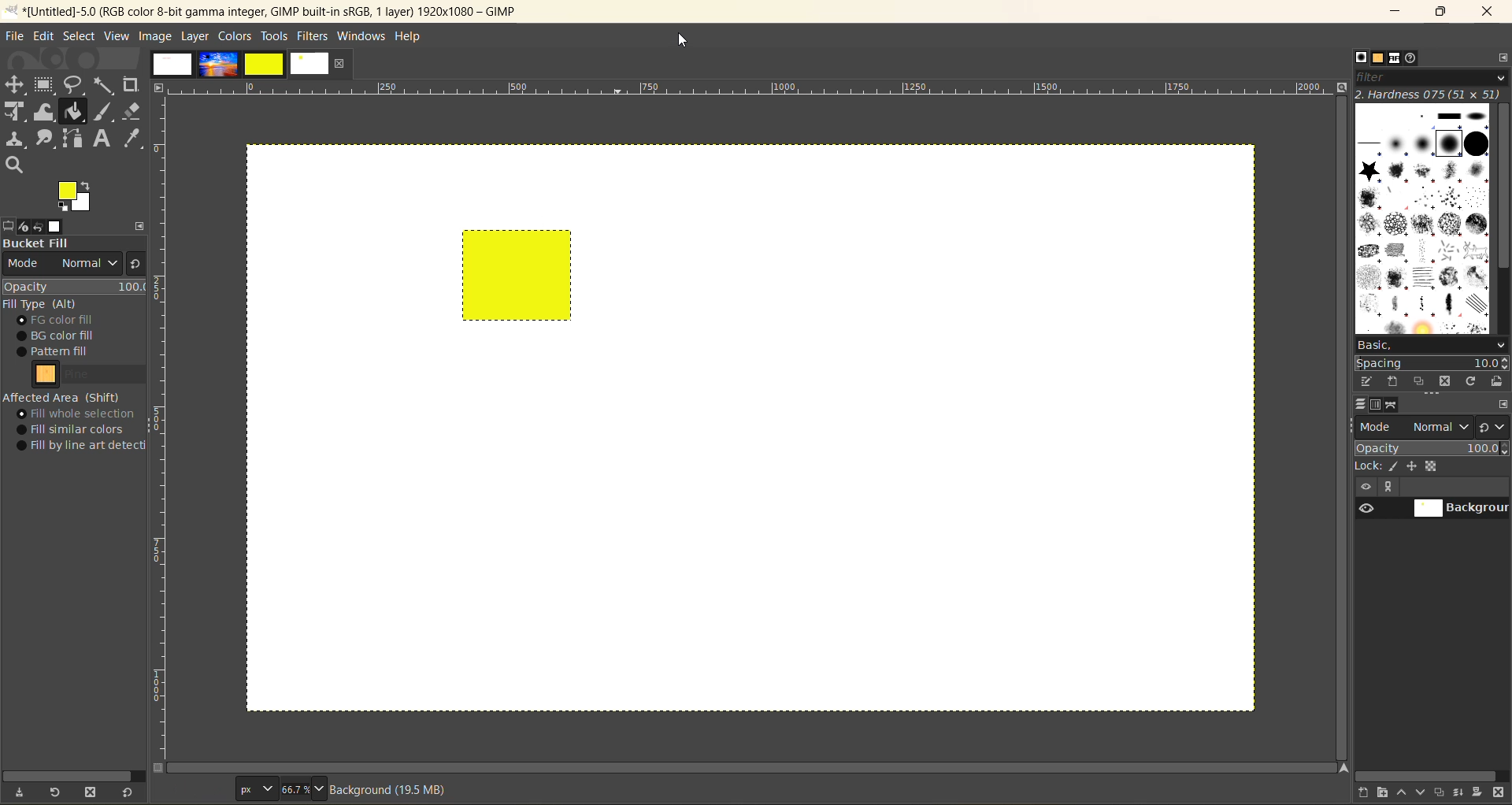 This screenshot has width=1512, height=805. What do you see at coordinates (396, 789) in the screenshot?
I see `metadata` at bounding box center [396, 789].